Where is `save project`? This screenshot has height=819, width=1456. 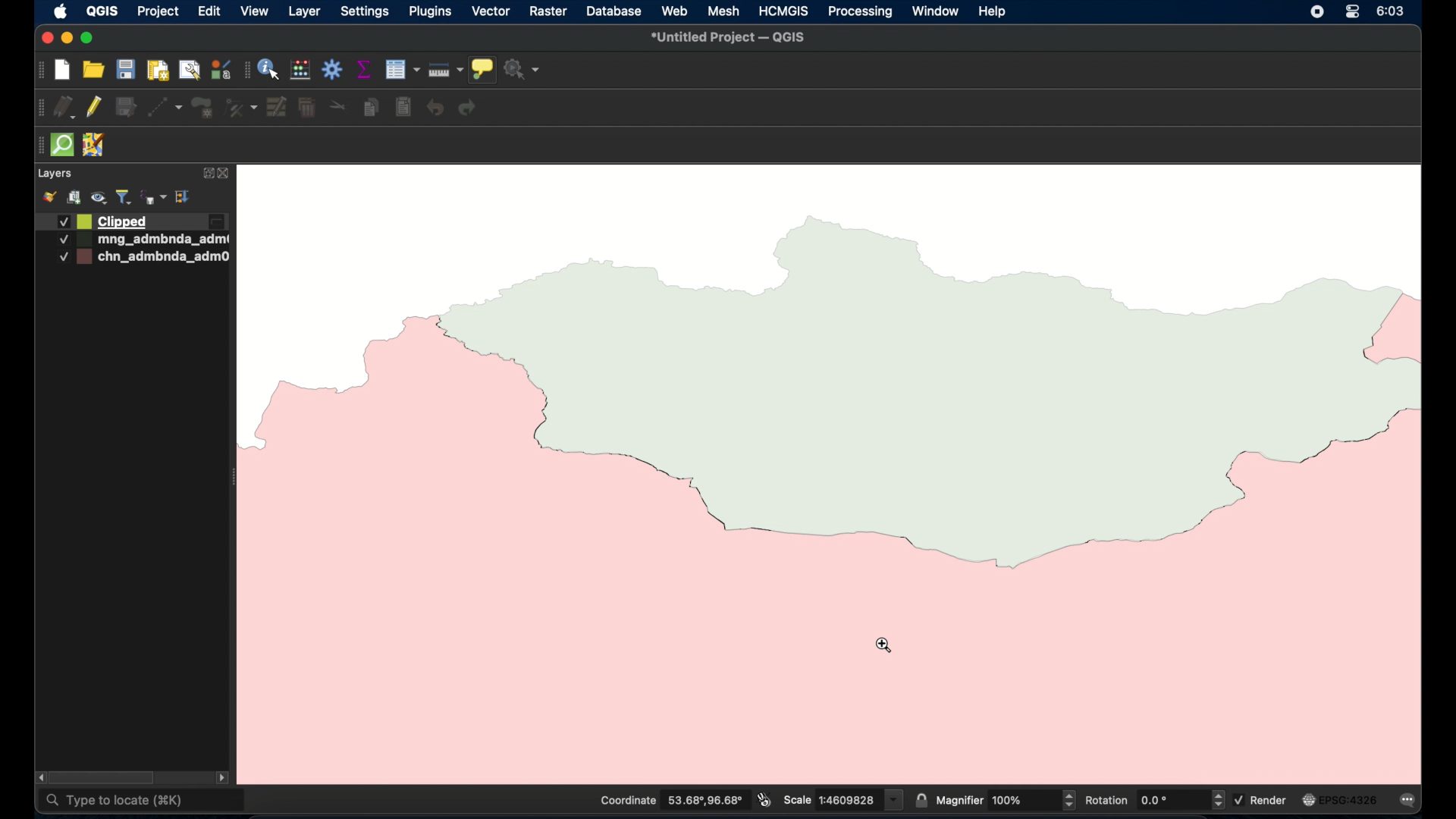 save project is located at coordinates (125, 69).